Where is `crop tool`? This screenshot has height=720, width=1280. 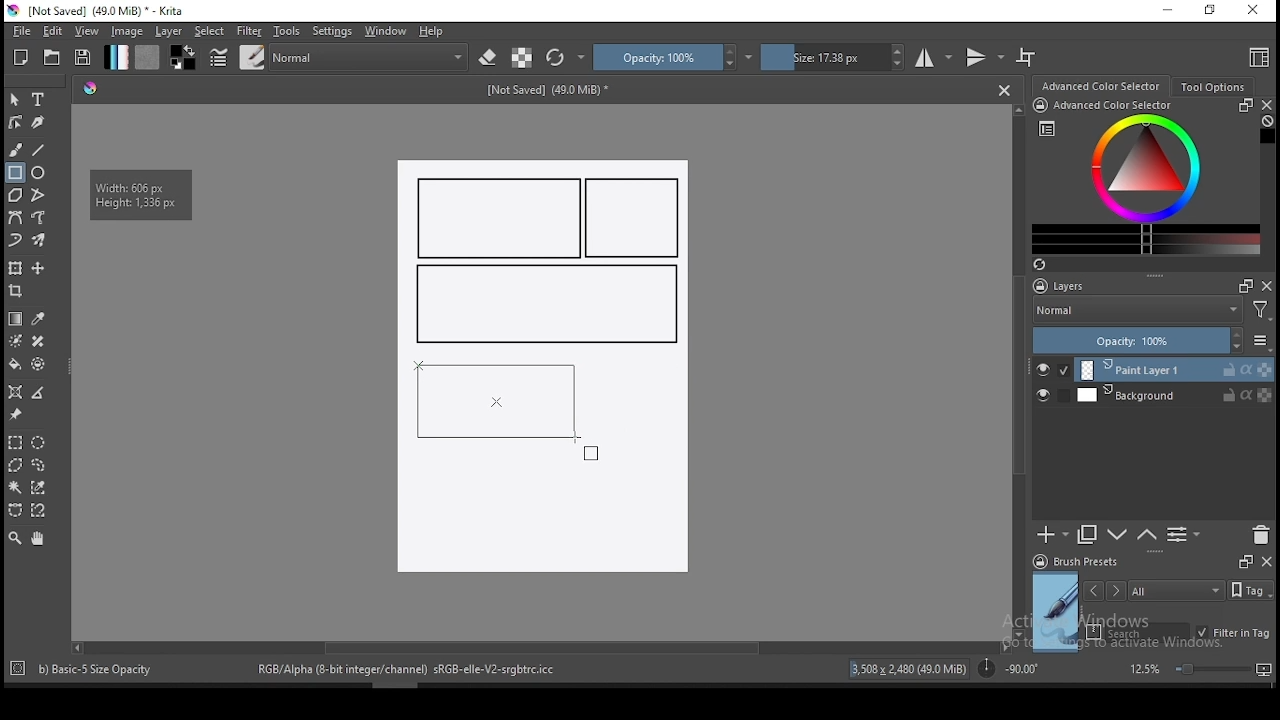
crop tool is located at coordinates (18, 293).